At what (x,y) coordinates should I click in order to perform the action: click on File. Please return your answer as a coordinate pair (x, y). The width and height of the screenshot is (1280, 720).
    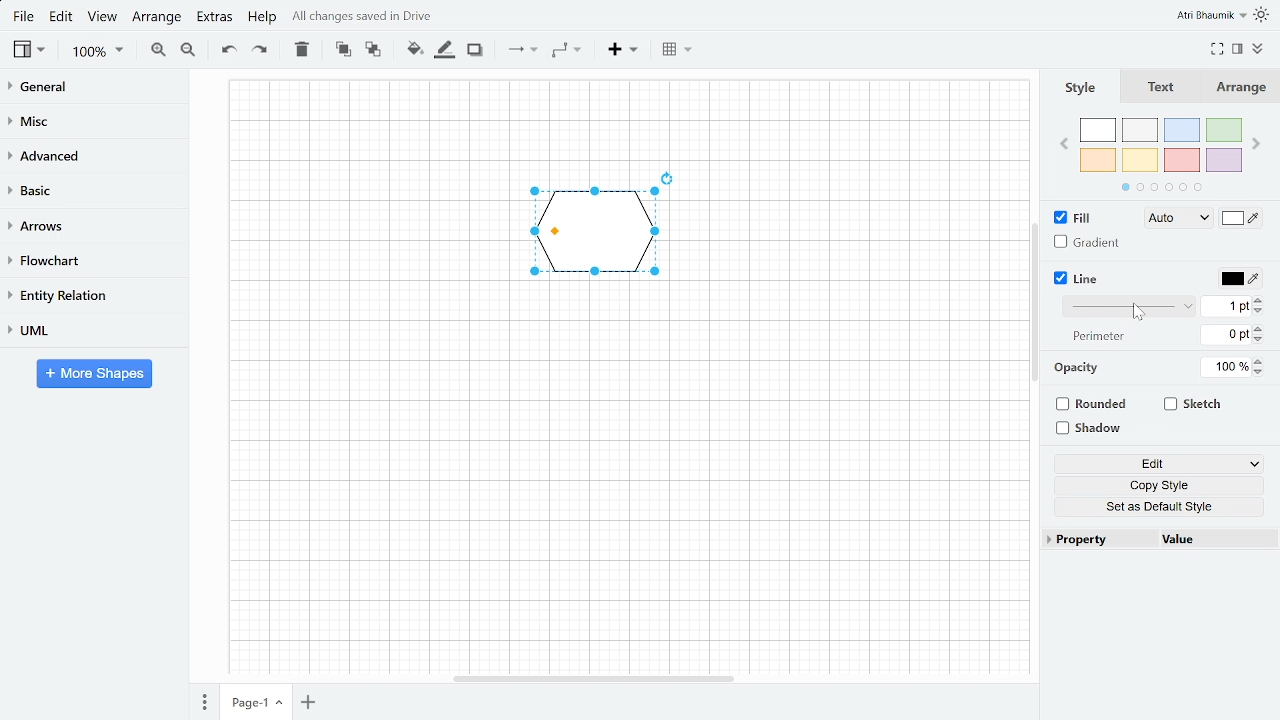
    Looking at the image, I should click on (25, 17).